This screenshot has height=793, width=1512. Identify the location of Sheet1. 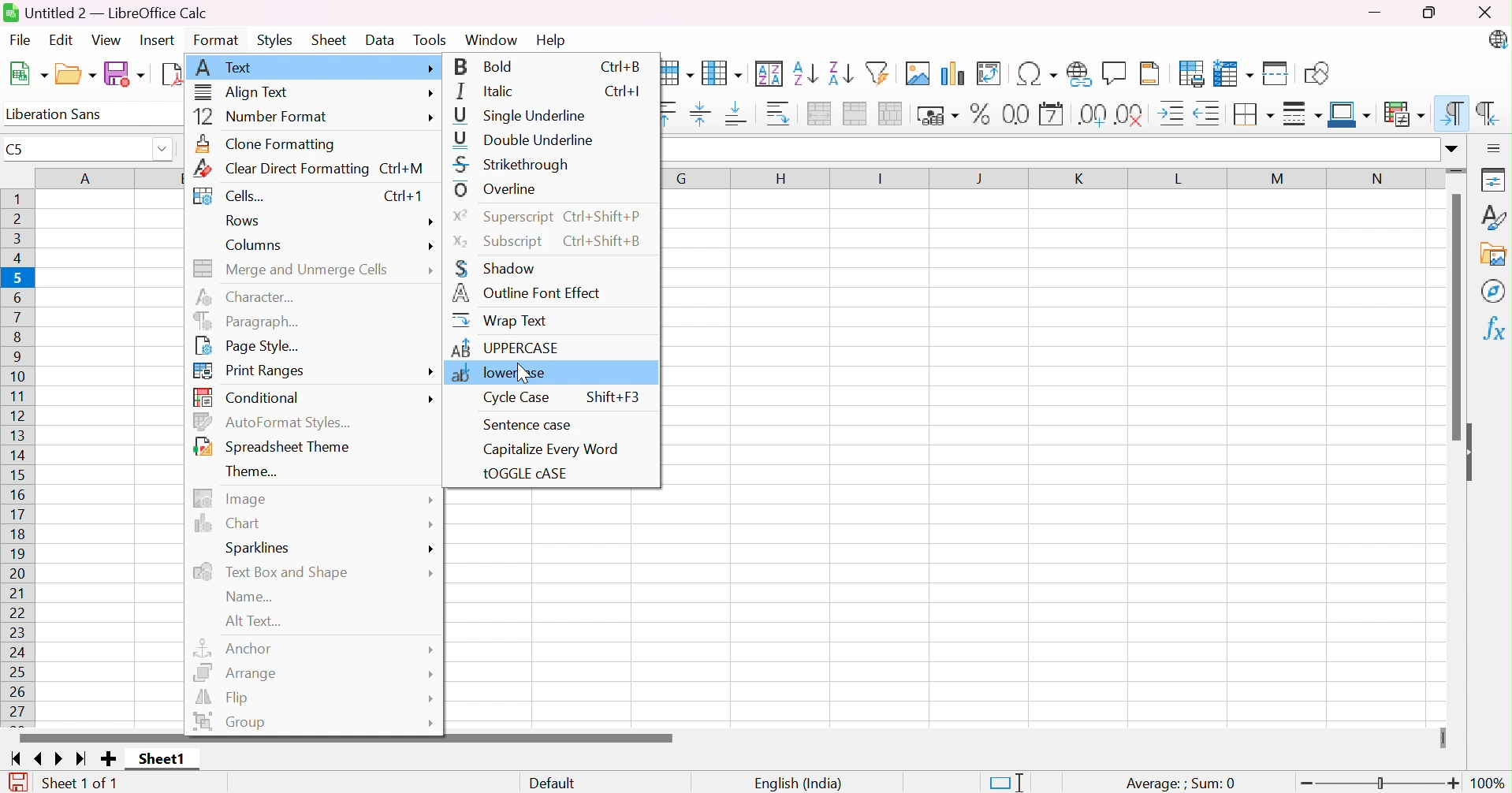
(161, 760).